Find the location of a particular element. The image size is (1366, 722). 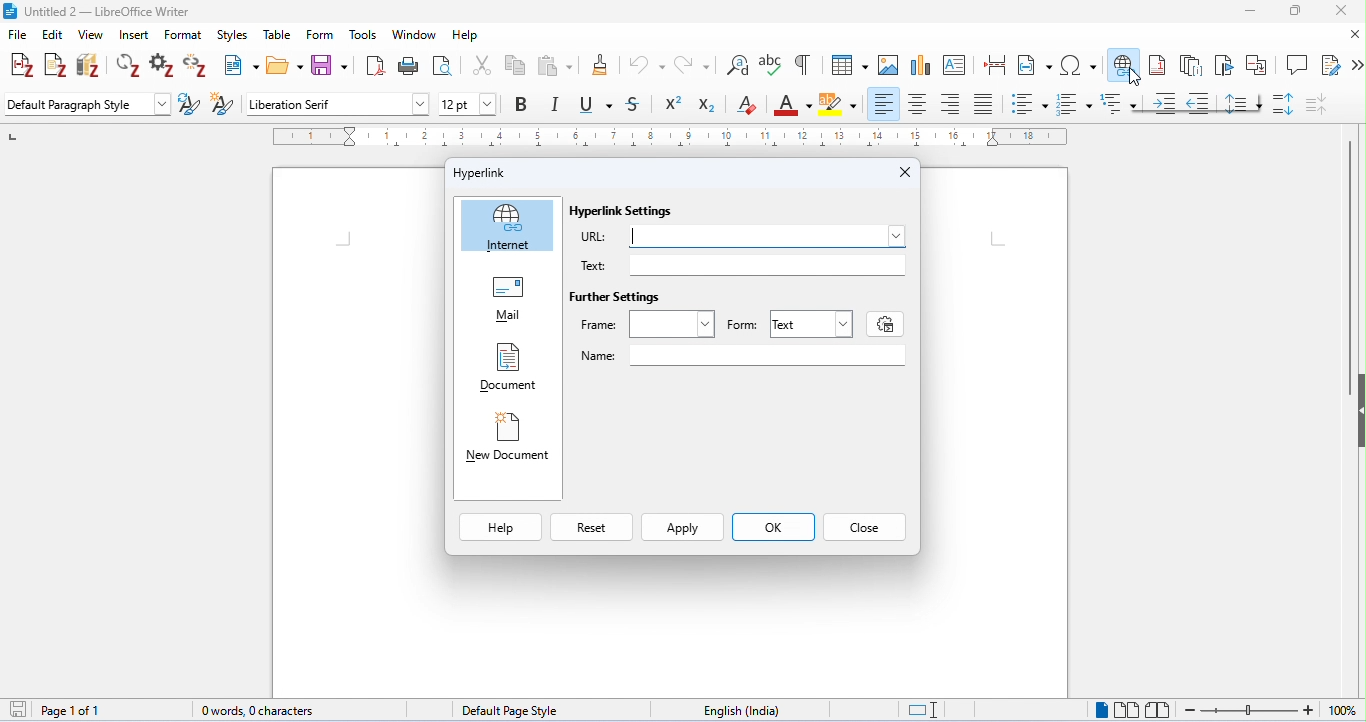

maximize is located at coordinates (1296, 11).